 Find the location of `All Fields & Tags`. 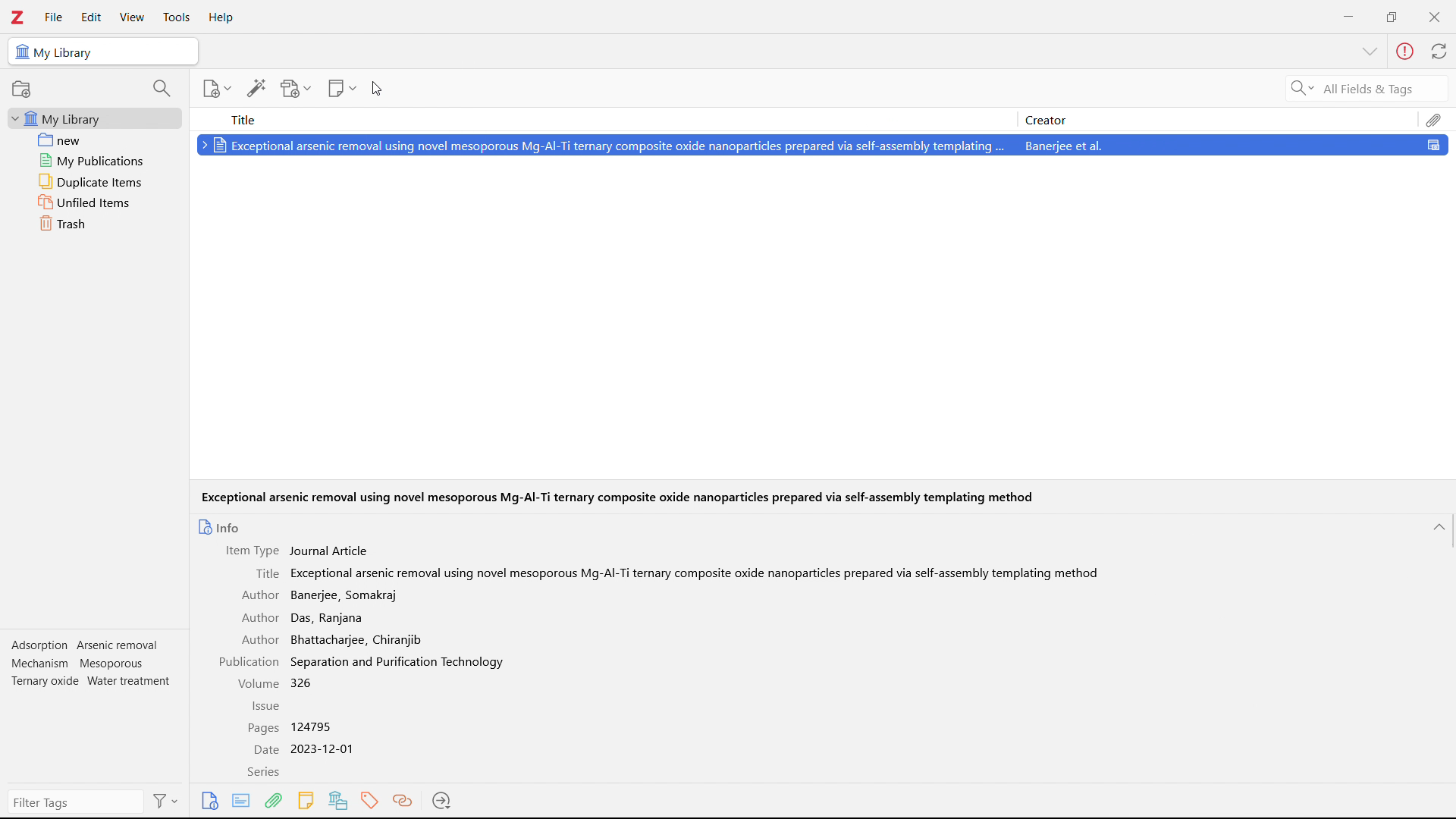

All Fields & Tags is located at coordinates (1355, 88).